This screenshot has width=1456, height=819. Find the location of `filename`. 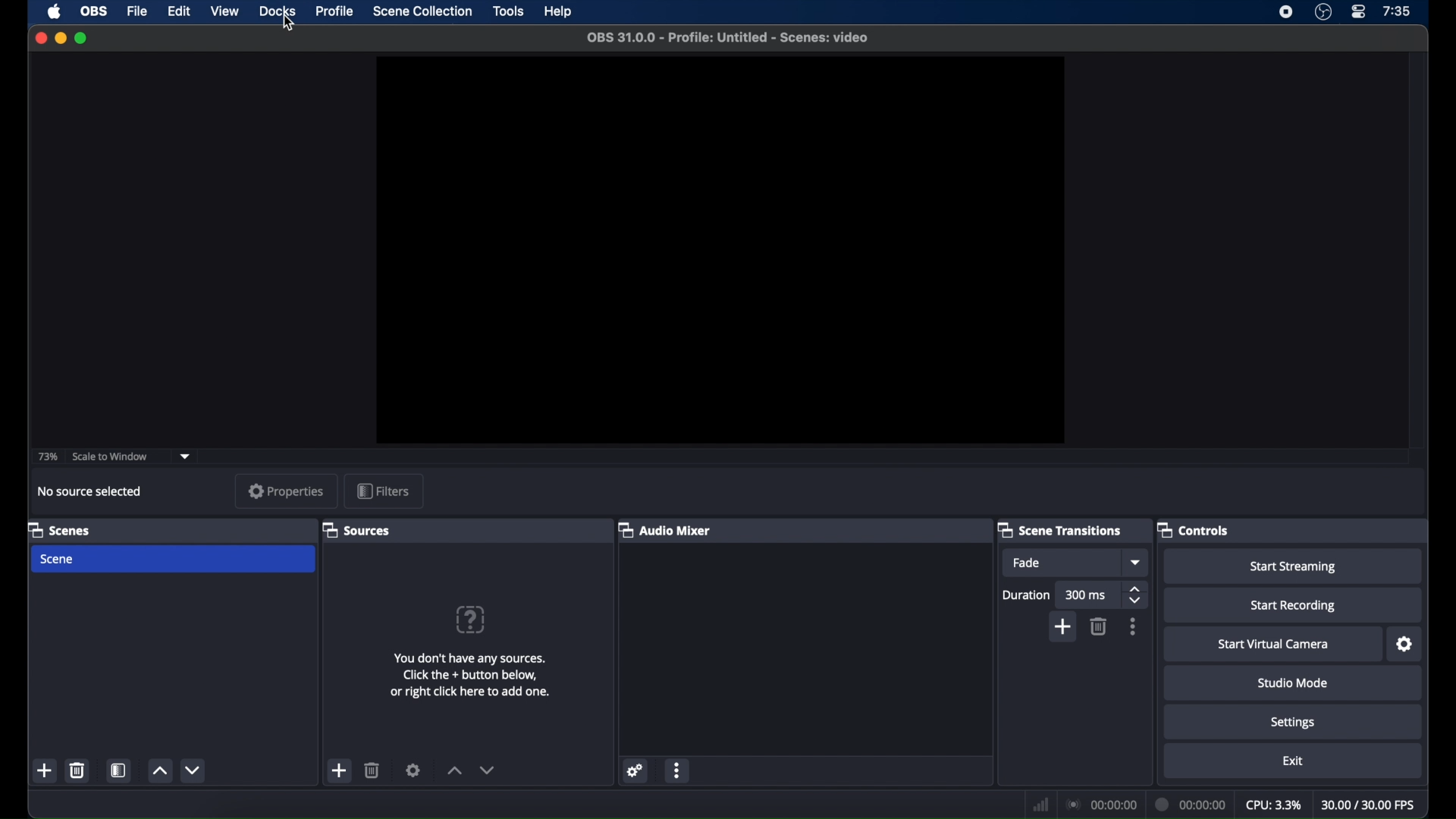

filename is located at coordinates (727, 38).